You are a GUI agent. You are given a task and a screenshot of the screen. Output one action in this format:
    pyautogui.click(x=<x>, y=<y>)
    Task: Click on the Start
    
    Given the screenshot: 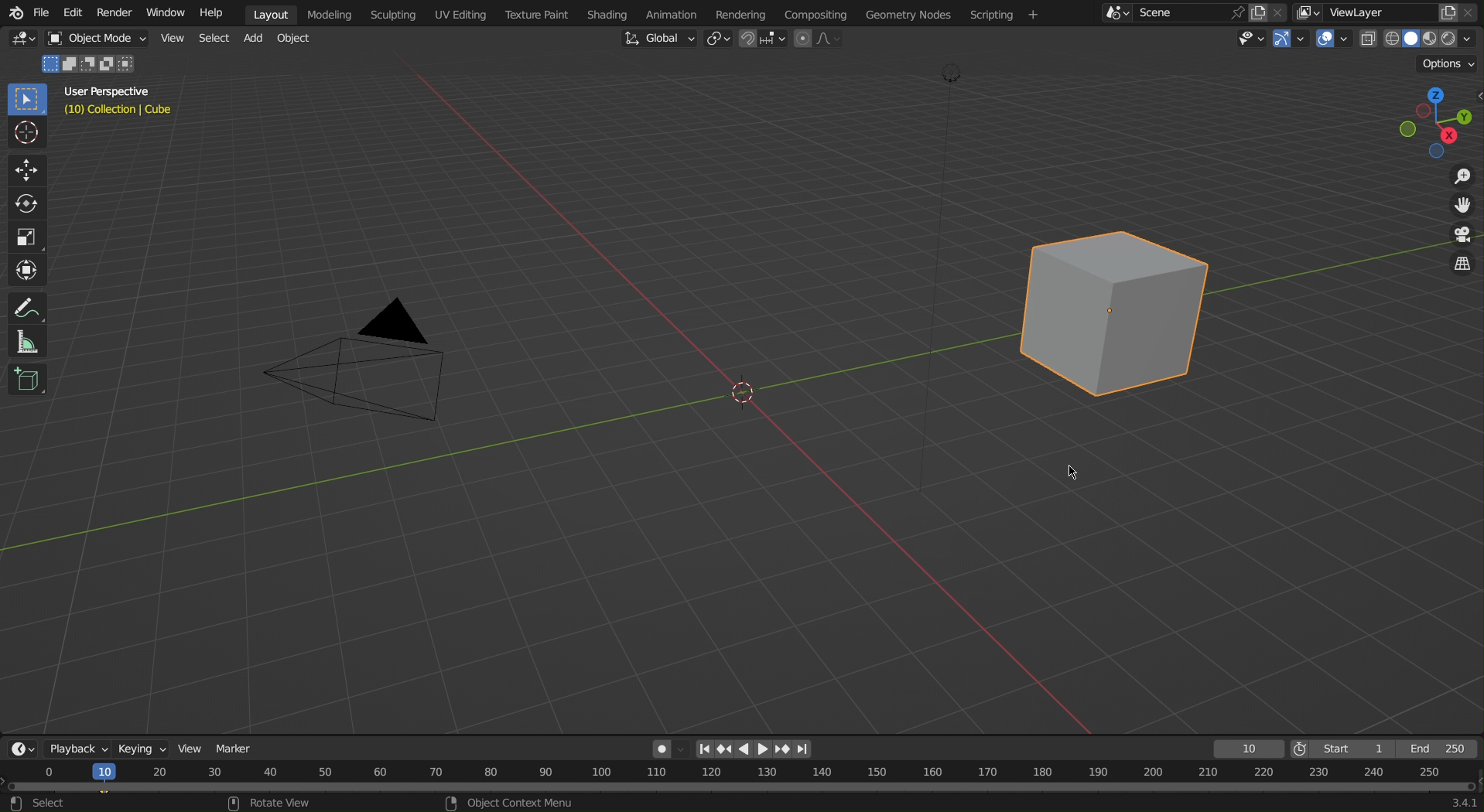 What is the action you would take?
    pyautogui.click(x=1342, y=749)
    